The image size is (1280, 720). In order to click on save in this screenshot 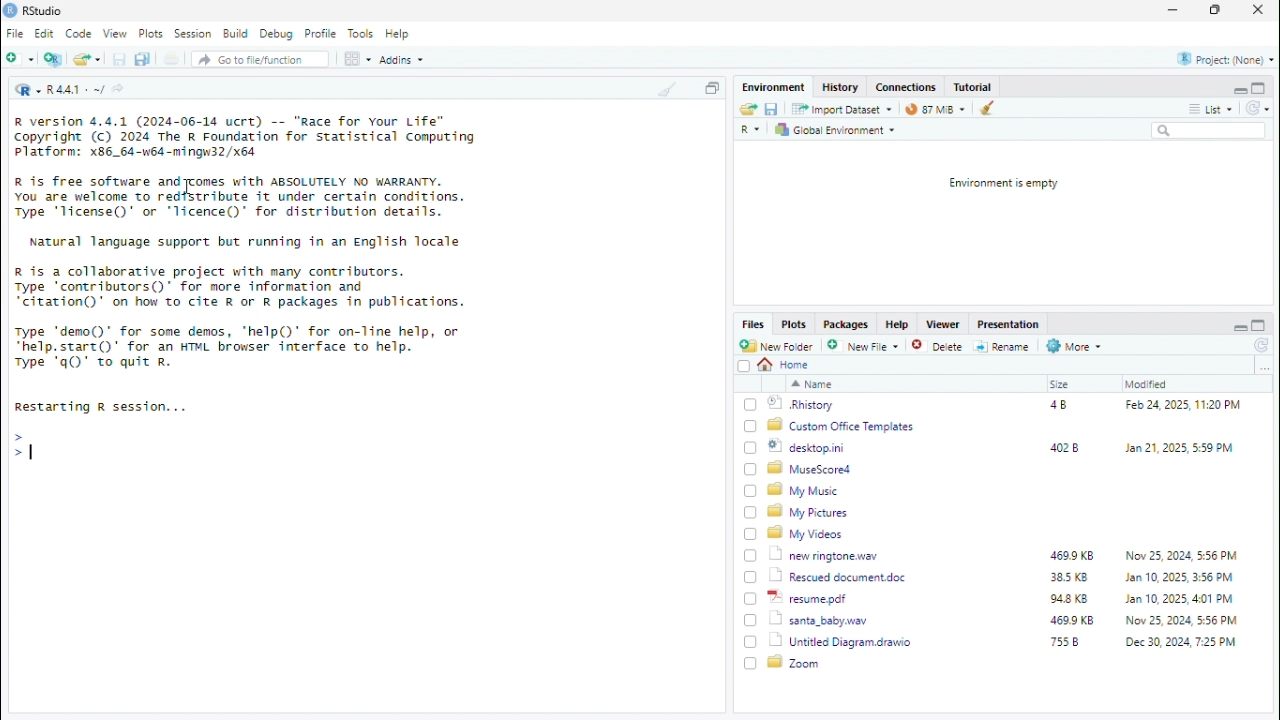, I will do `click(773, 109)`.